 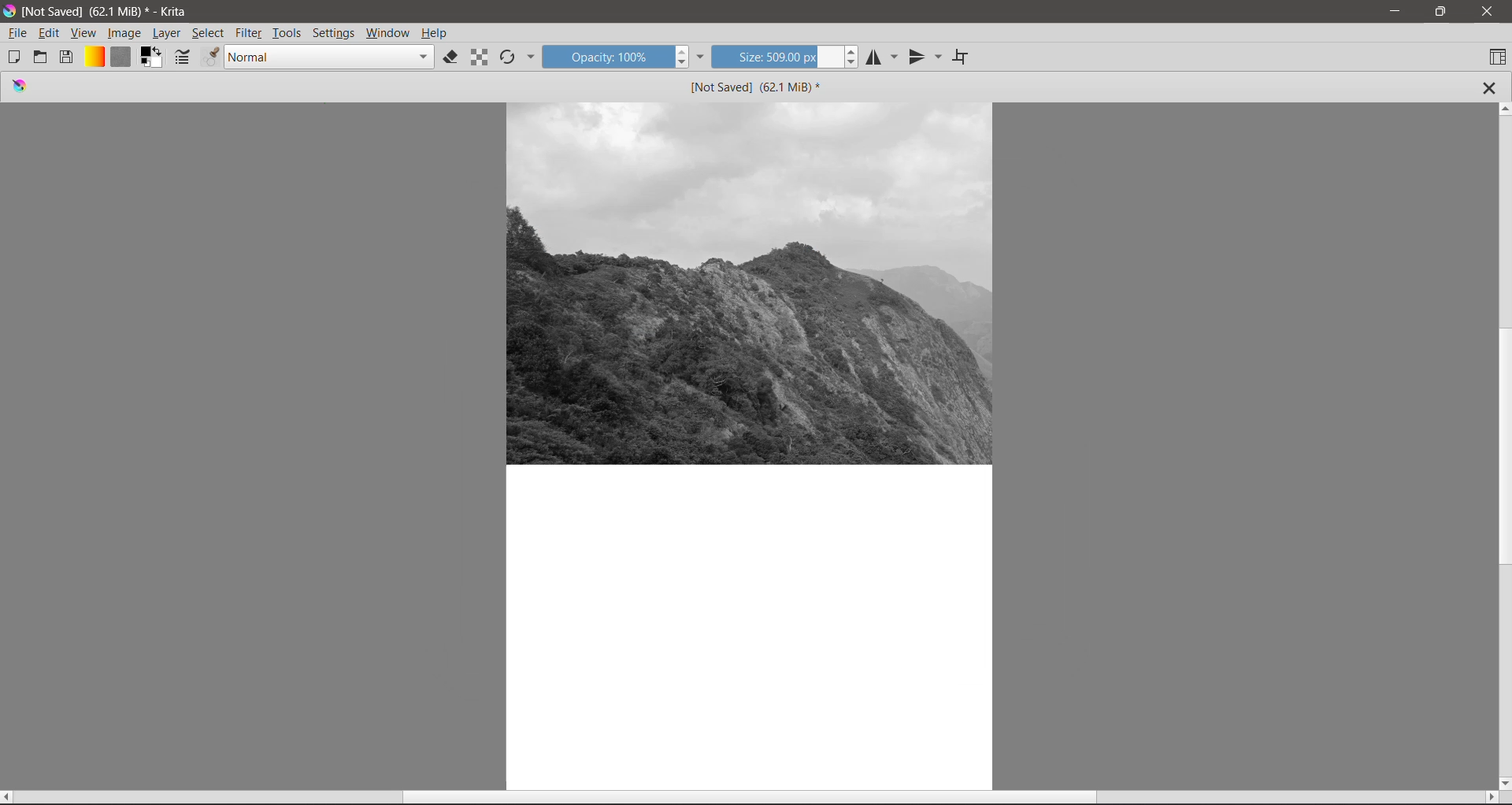 What do you see at coordinates (750, 798) in the screenshot?
I see `Horizontal Scroll Bar` at bounding box center [750, 798].